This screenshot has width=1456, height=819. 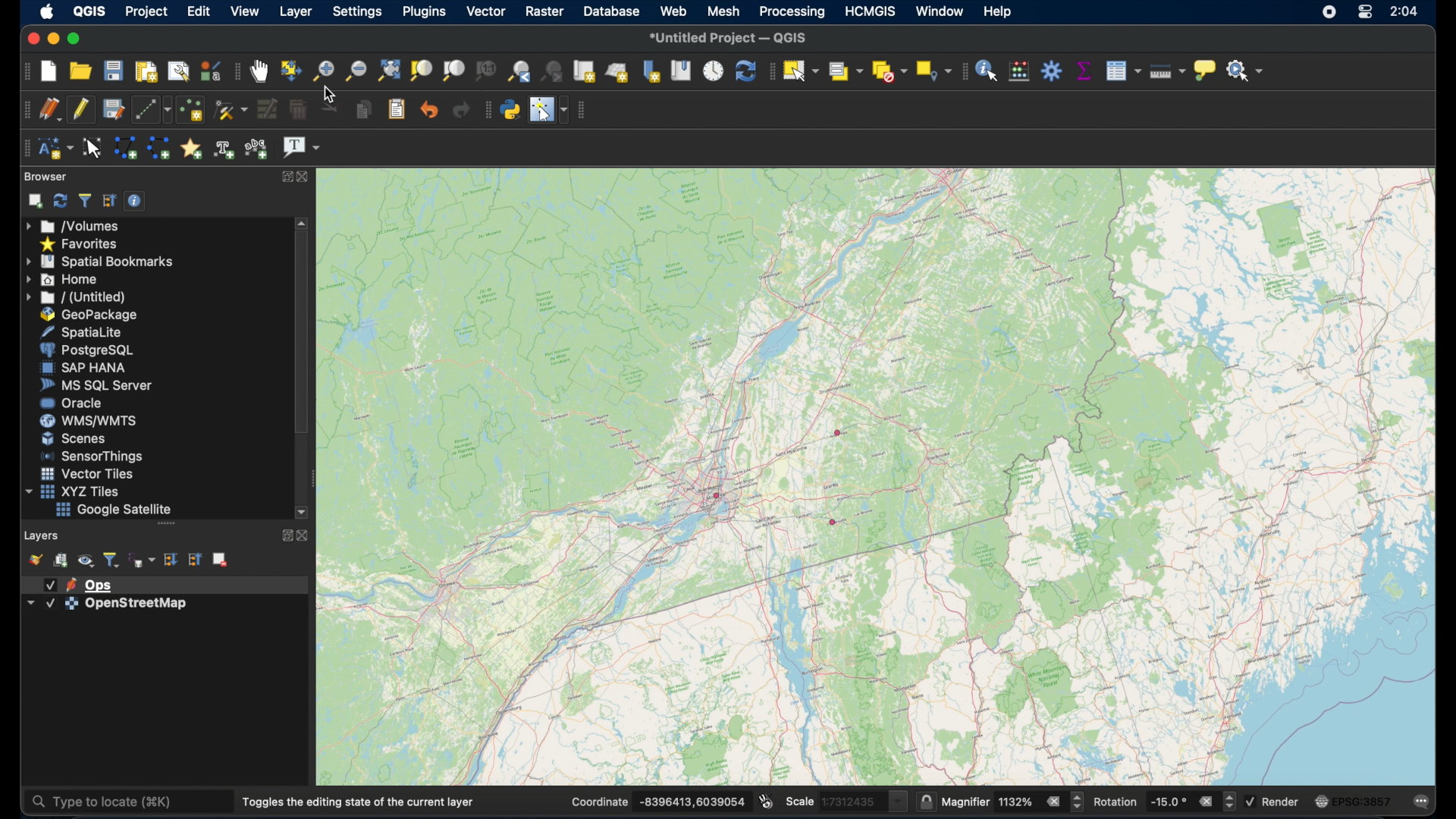 I want to click on spatiallite, so click(x=78, y=331).